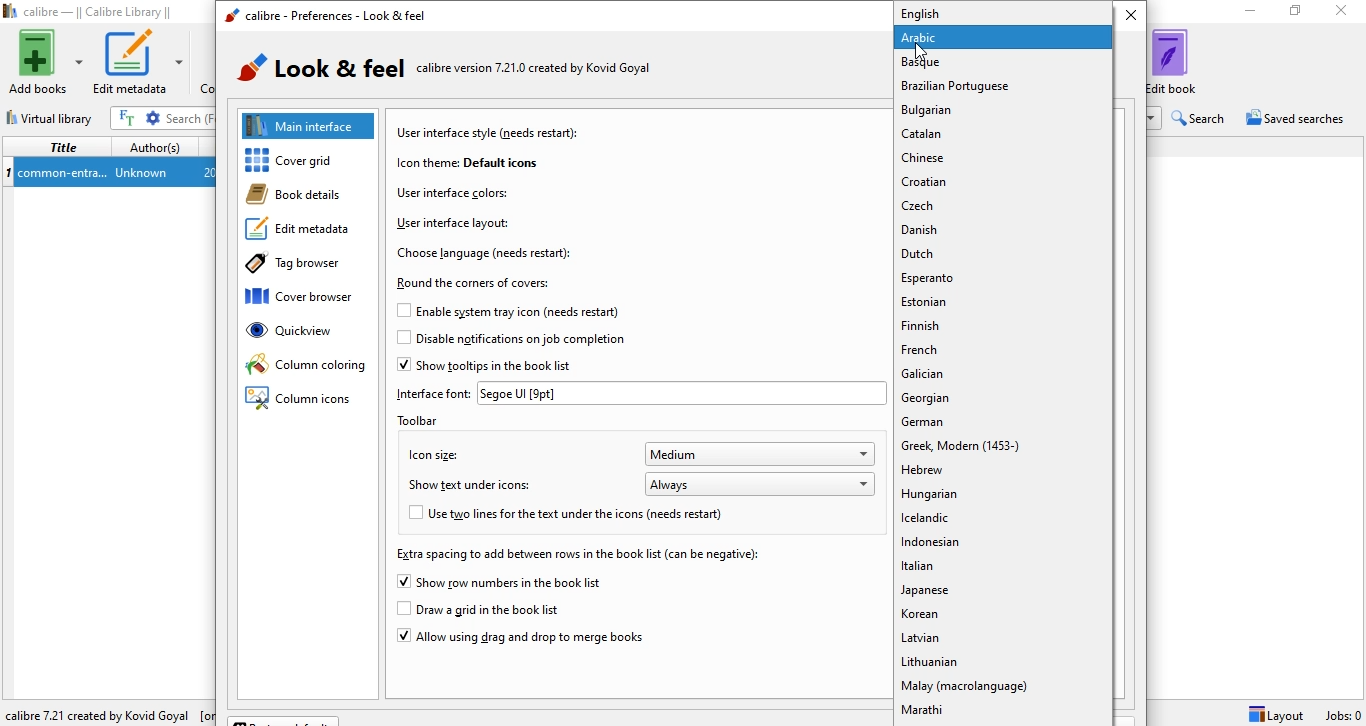 The image size is (1366, 726). Describe the element at coordinates (1345, 13) in the screenshot. I see `Close` at that location.